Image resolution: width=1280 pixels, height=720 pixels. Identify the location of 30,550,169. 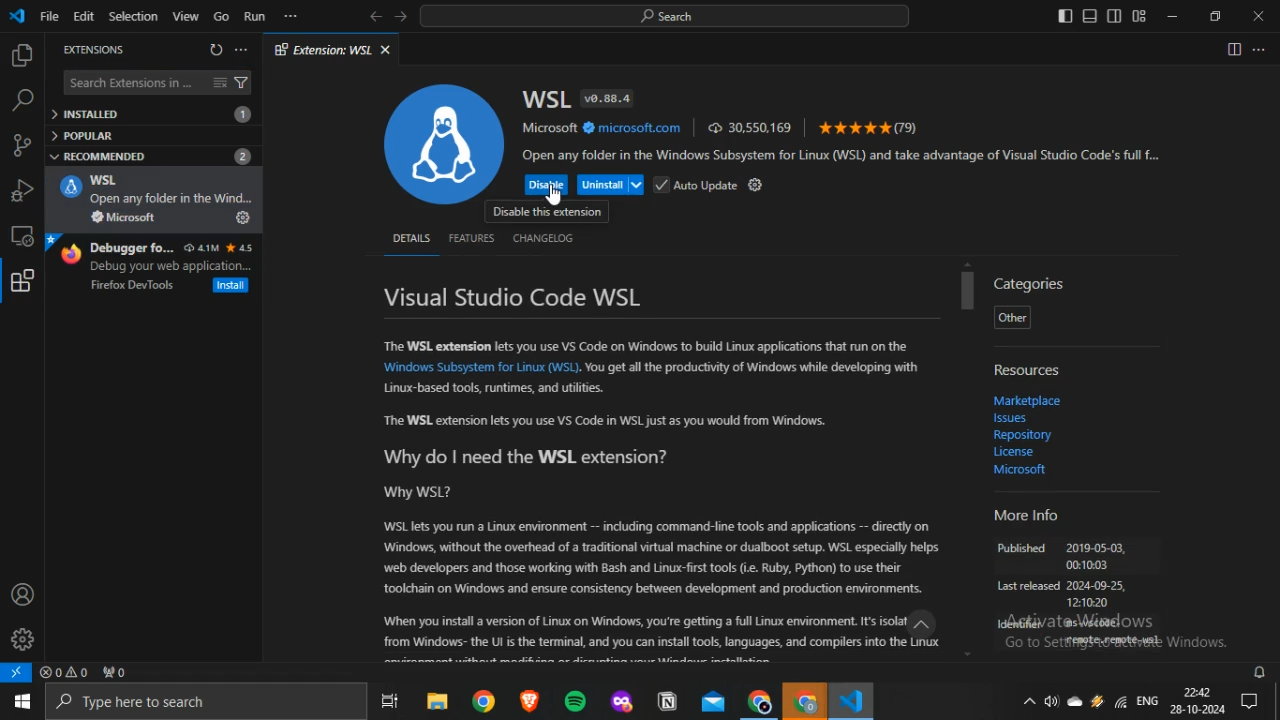
(750, 126).